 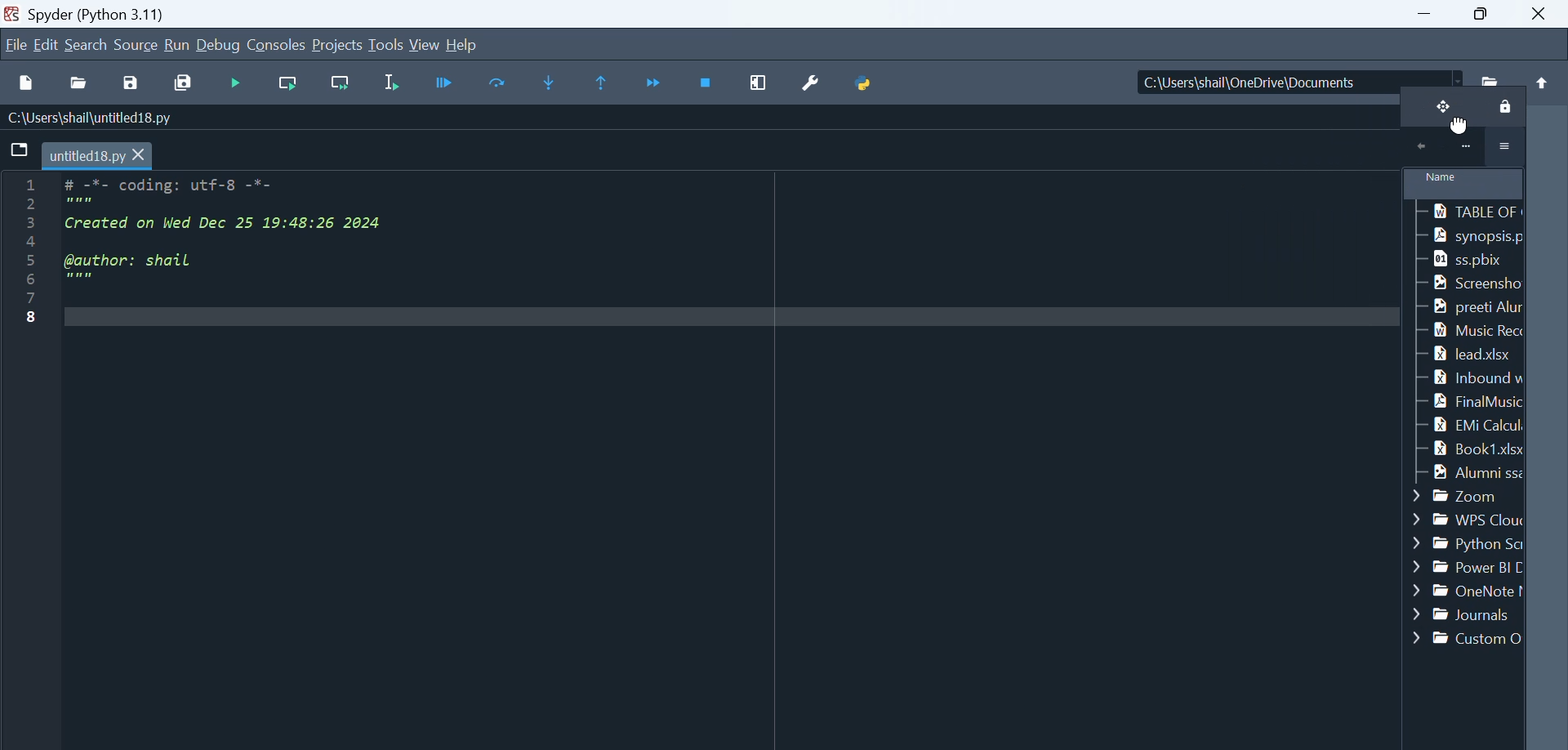 I want to click on open parent directory, so click(x=1544, y=75).